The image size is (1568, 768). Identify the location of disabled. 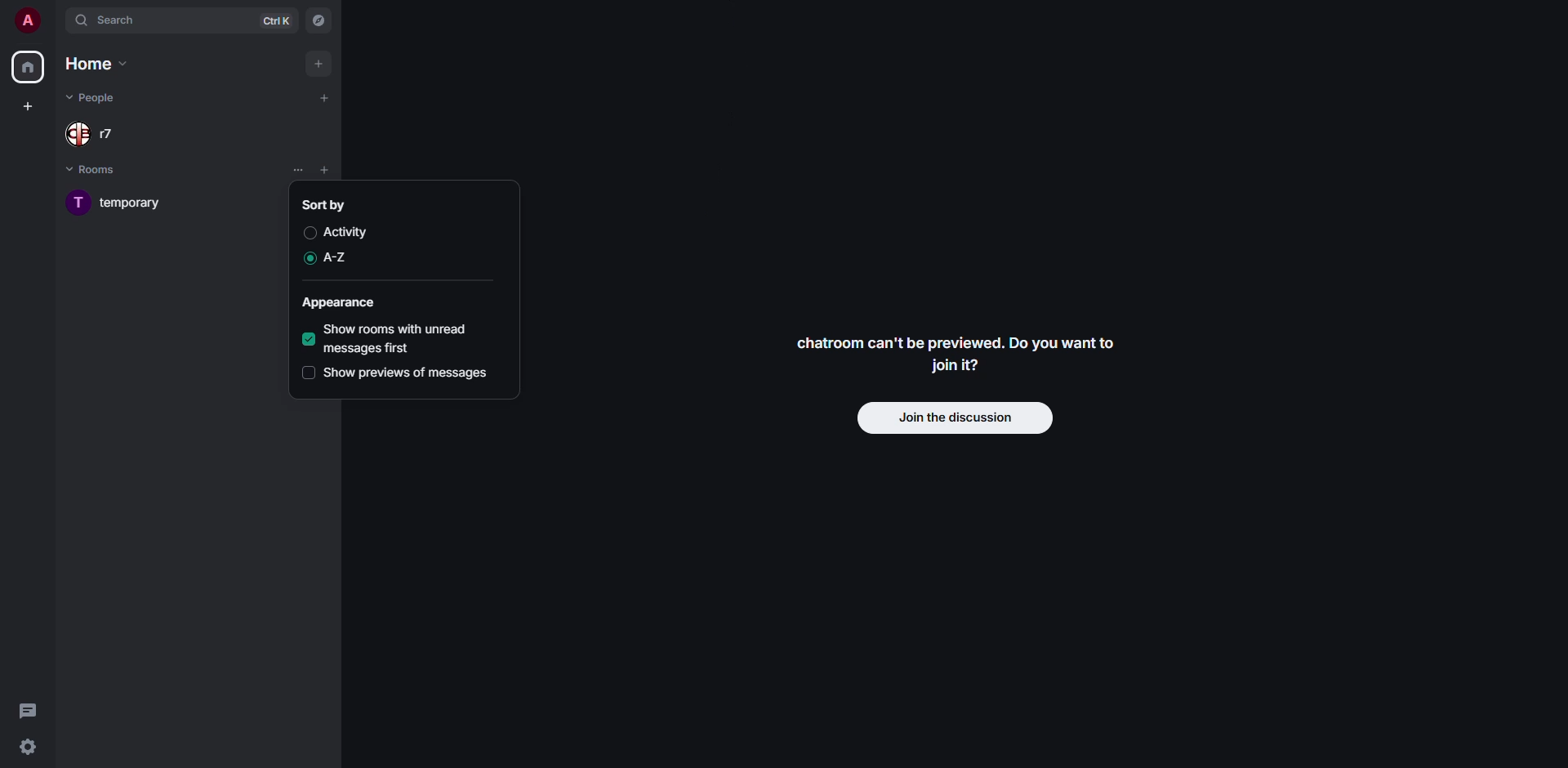
(307, 373).